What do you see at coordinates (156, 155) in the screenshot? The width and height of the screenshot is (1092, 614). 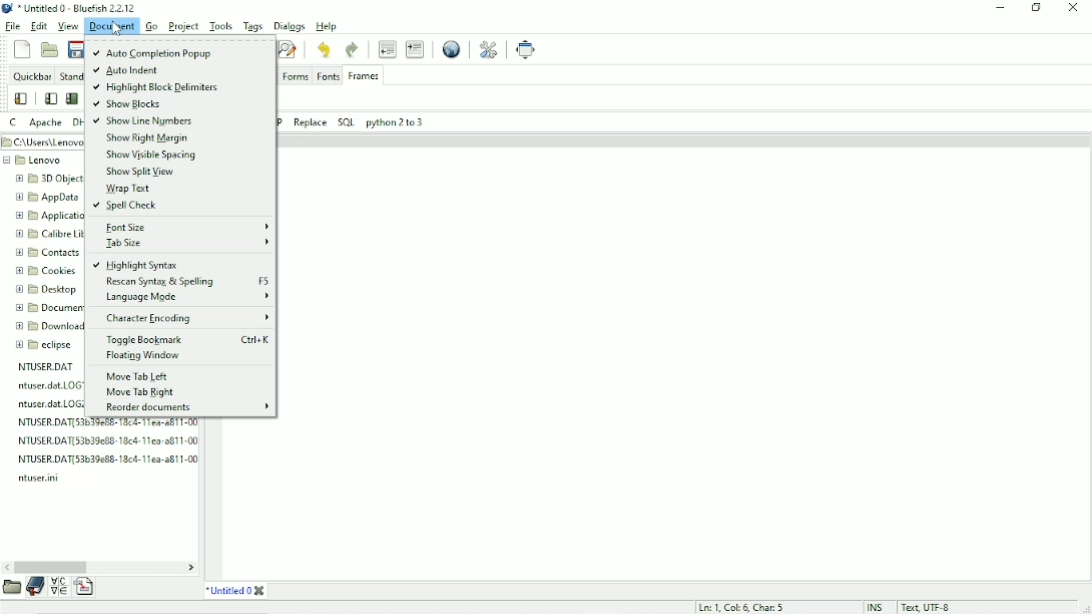 I see `Show visible spacing` at bounding box center [156, 155].